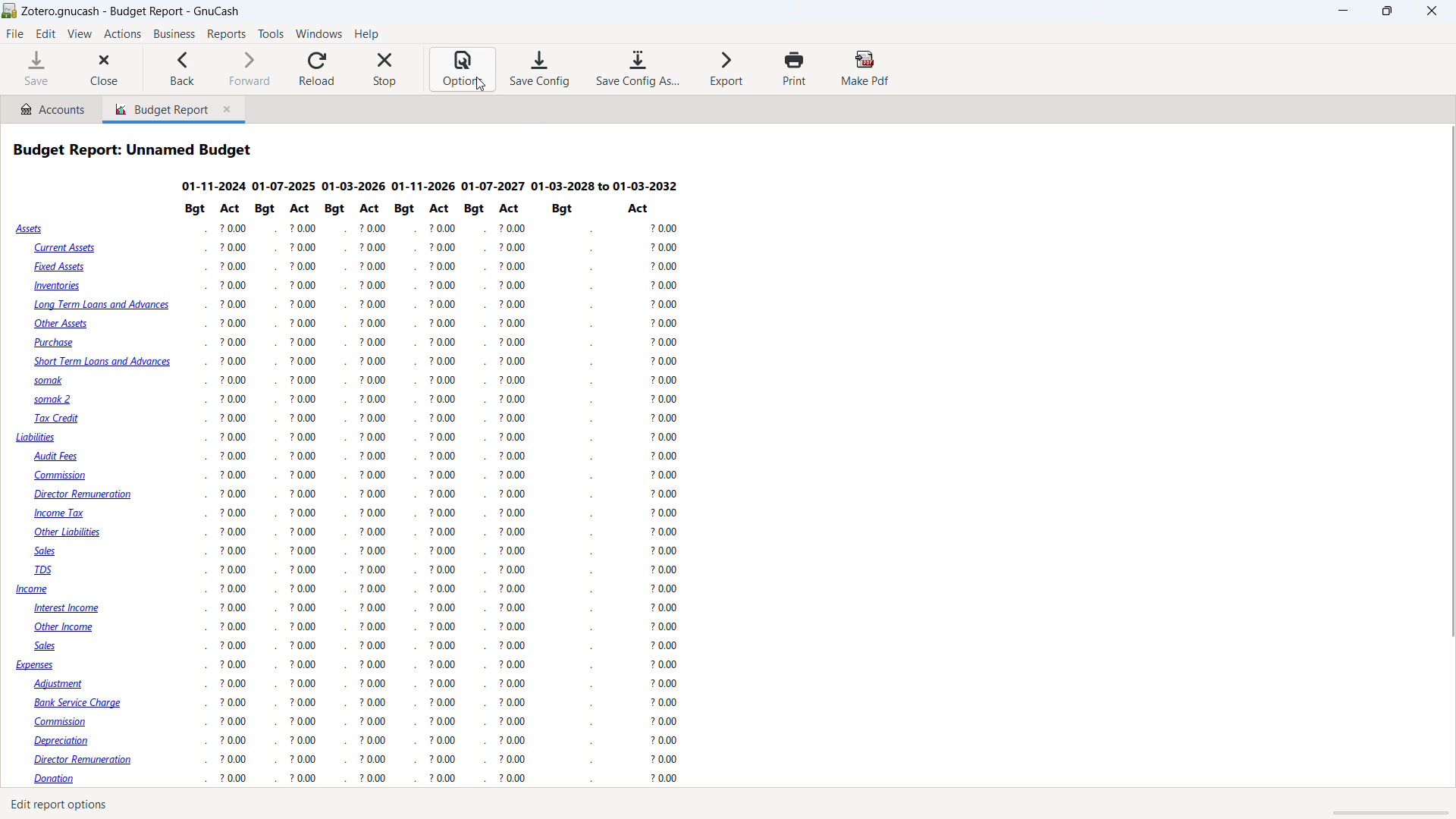 Image resolution: width=1456 pixels, height=819 pixels. Describe the element at coordinates (102, 307) in the screenshot. I see `Long Term Loans and Advances` at that location.